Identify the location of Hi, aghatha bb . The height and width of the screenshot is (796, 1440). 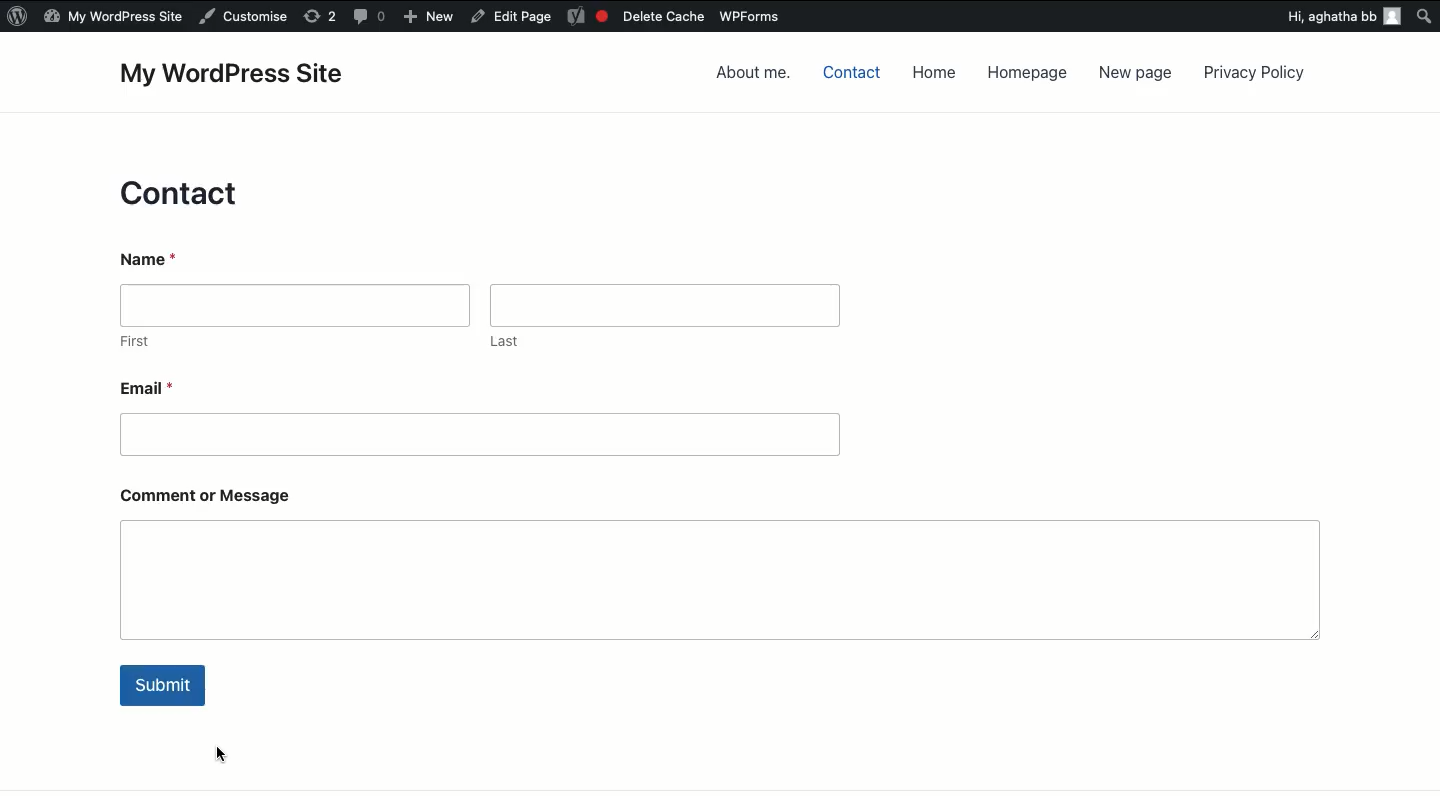
(1343, 19).